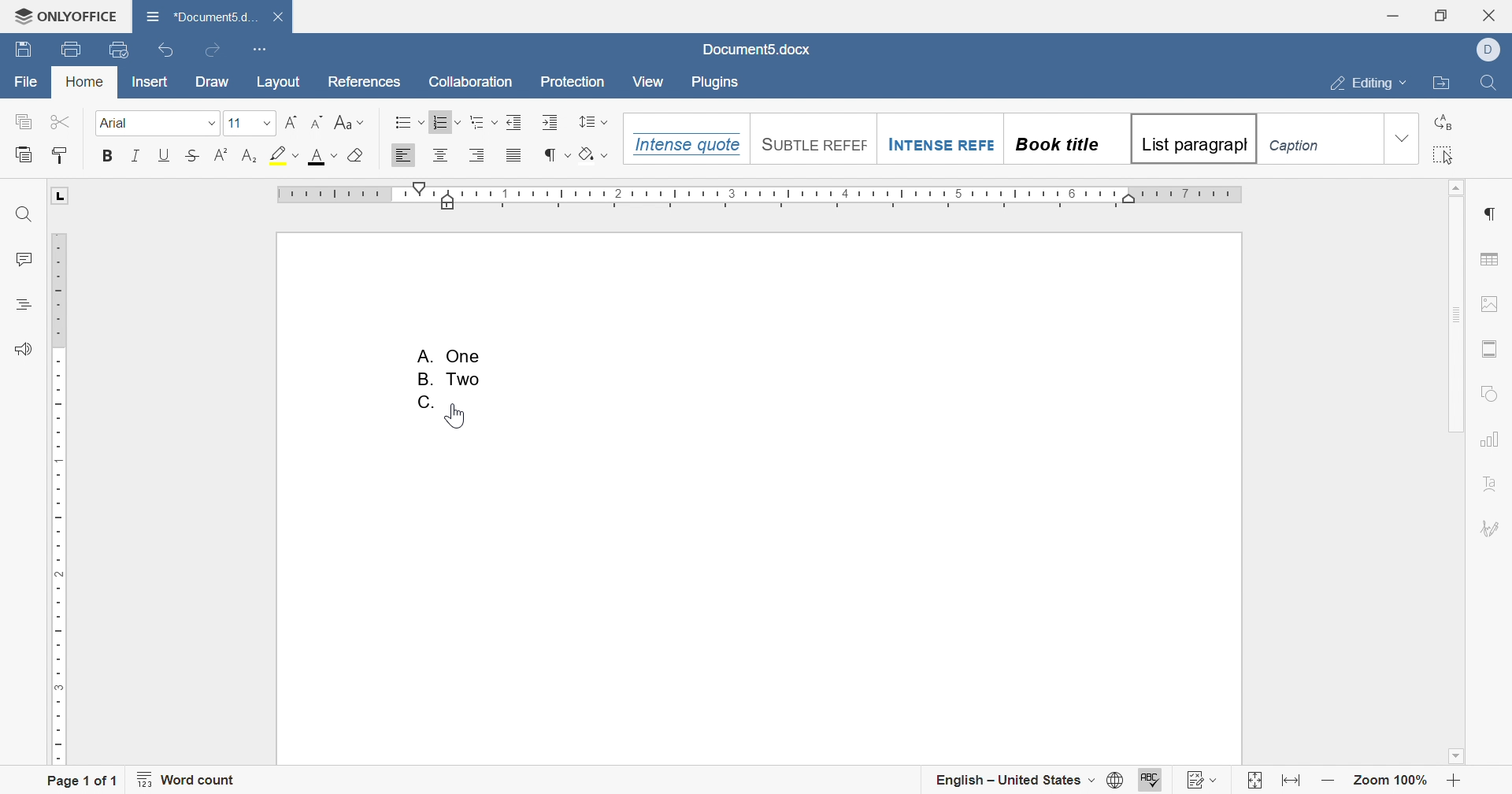 The width and height of the screenshot is (1512, 794). I want to click on references, so click(368, 83).